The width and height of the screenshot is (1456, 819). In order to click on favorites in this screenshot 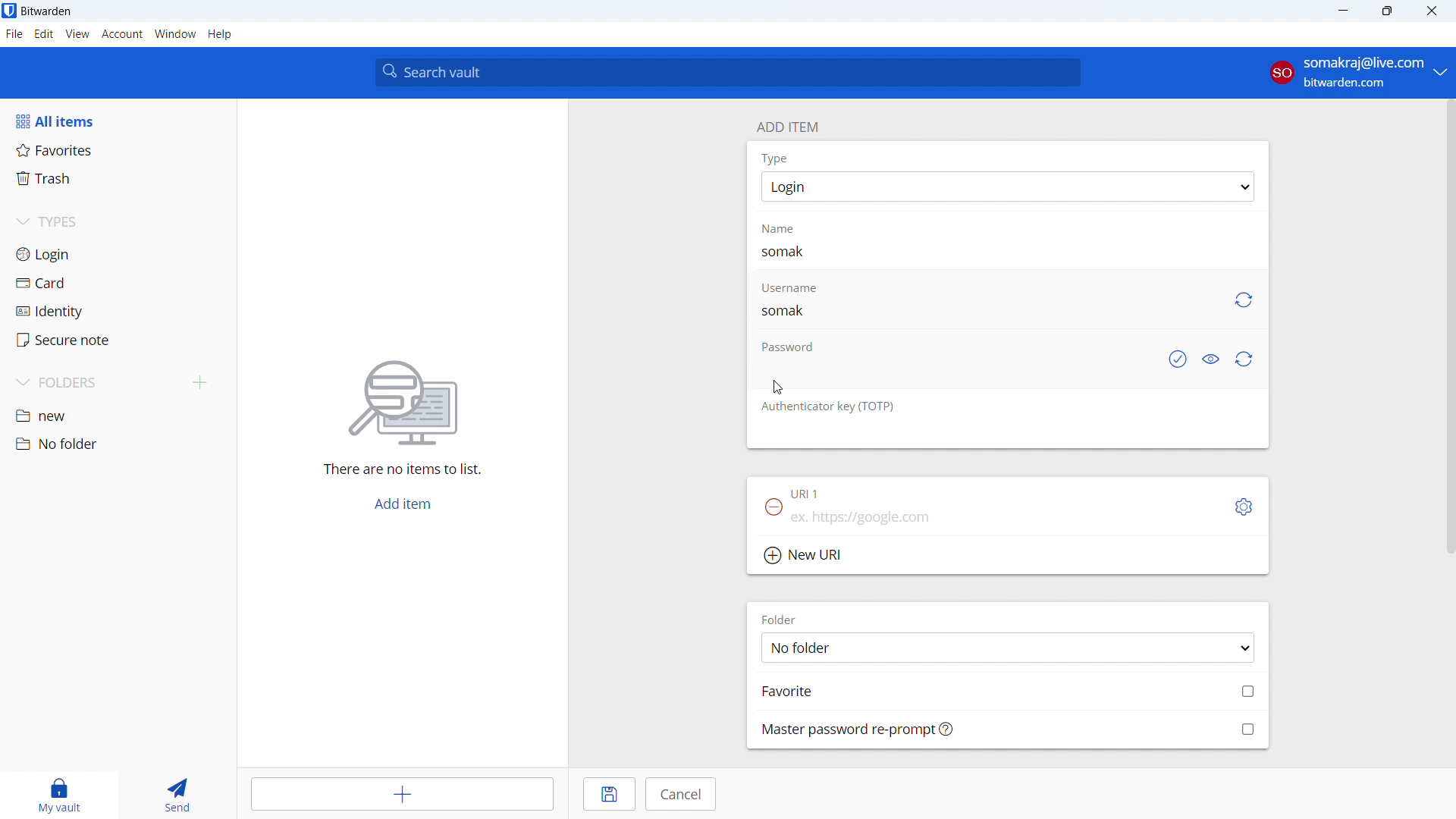, I will do `click(118, 149)`.